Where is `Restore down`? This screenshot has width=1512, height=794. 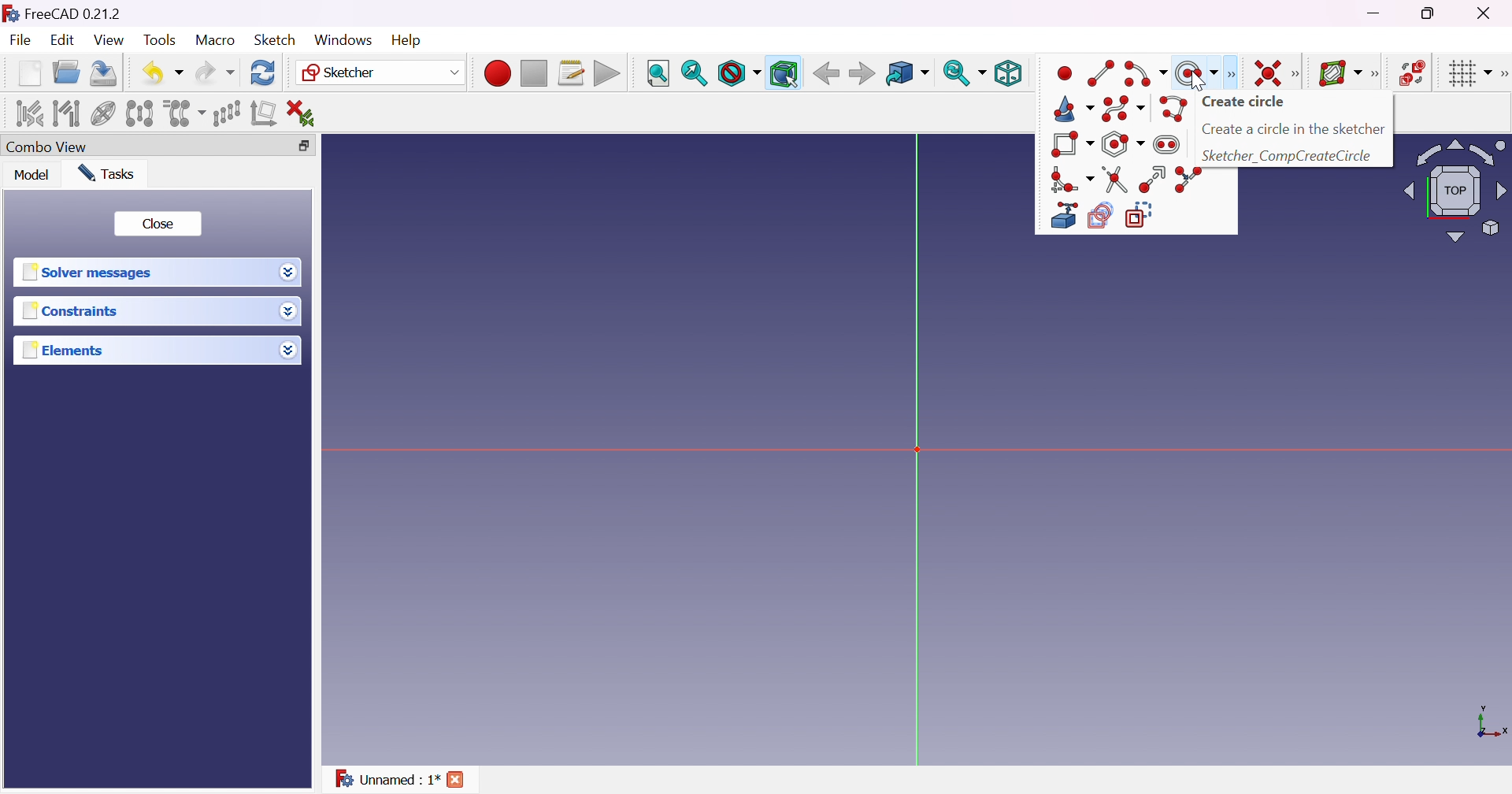 Restore down is located at coordinates (302, 146).